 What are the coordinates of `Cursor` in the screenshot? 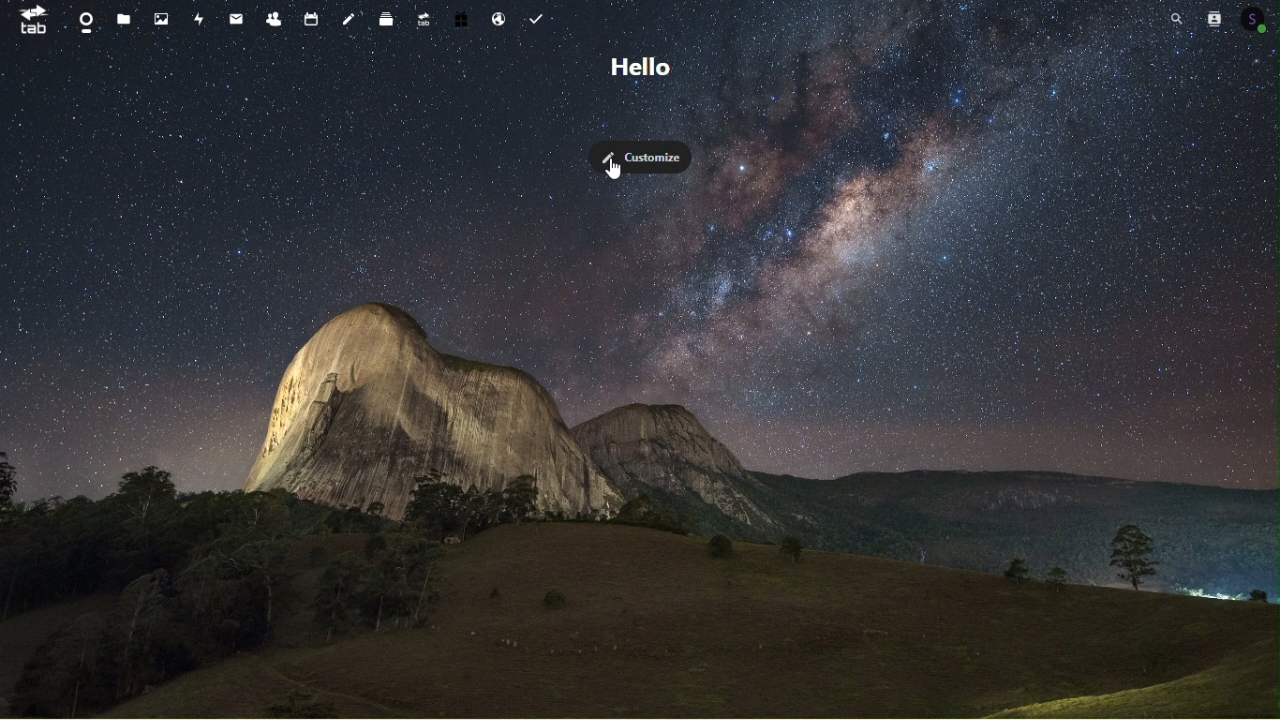 It's located at (615, 170).